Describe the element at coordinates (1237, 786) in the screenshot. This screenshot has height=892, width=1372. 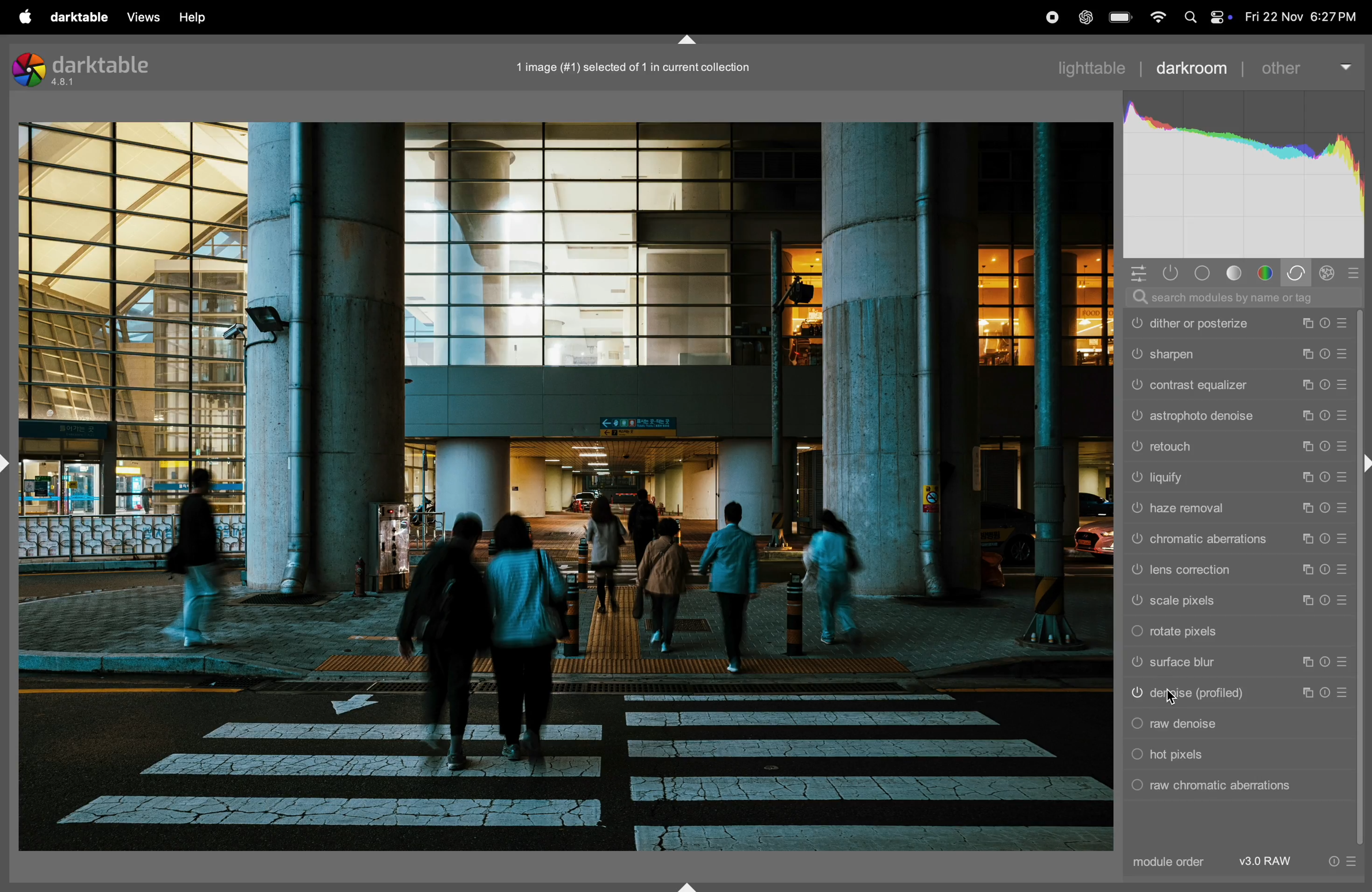
I see `raw chromatic aberrtions` at that location.